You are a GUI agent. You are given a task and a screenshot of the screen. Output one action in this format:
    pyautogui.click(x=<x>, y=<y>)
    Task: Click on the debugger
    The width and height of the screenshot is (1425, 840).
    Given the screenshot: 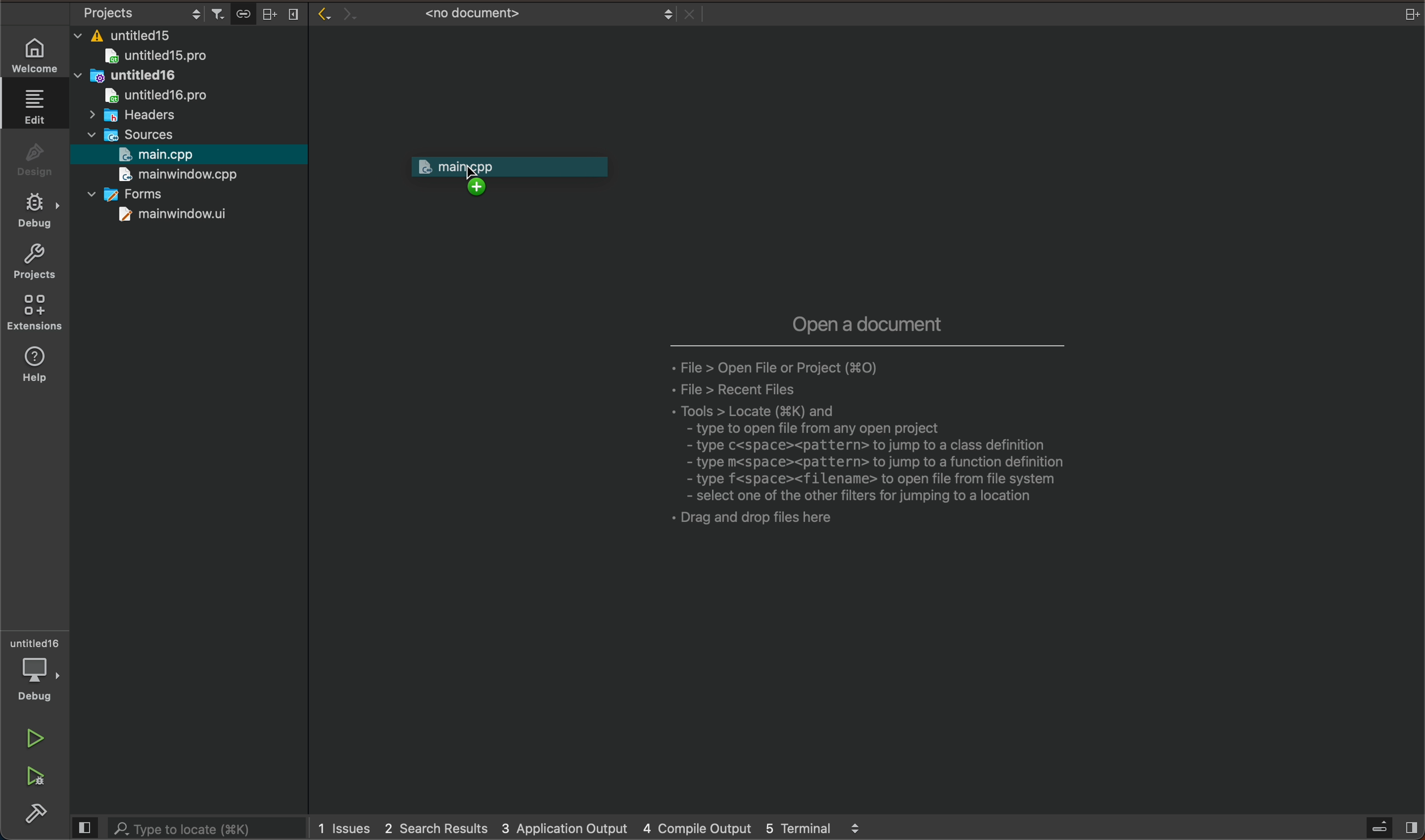 What is the action you would take?
    pyautogui.click(x=33, y=670)
    